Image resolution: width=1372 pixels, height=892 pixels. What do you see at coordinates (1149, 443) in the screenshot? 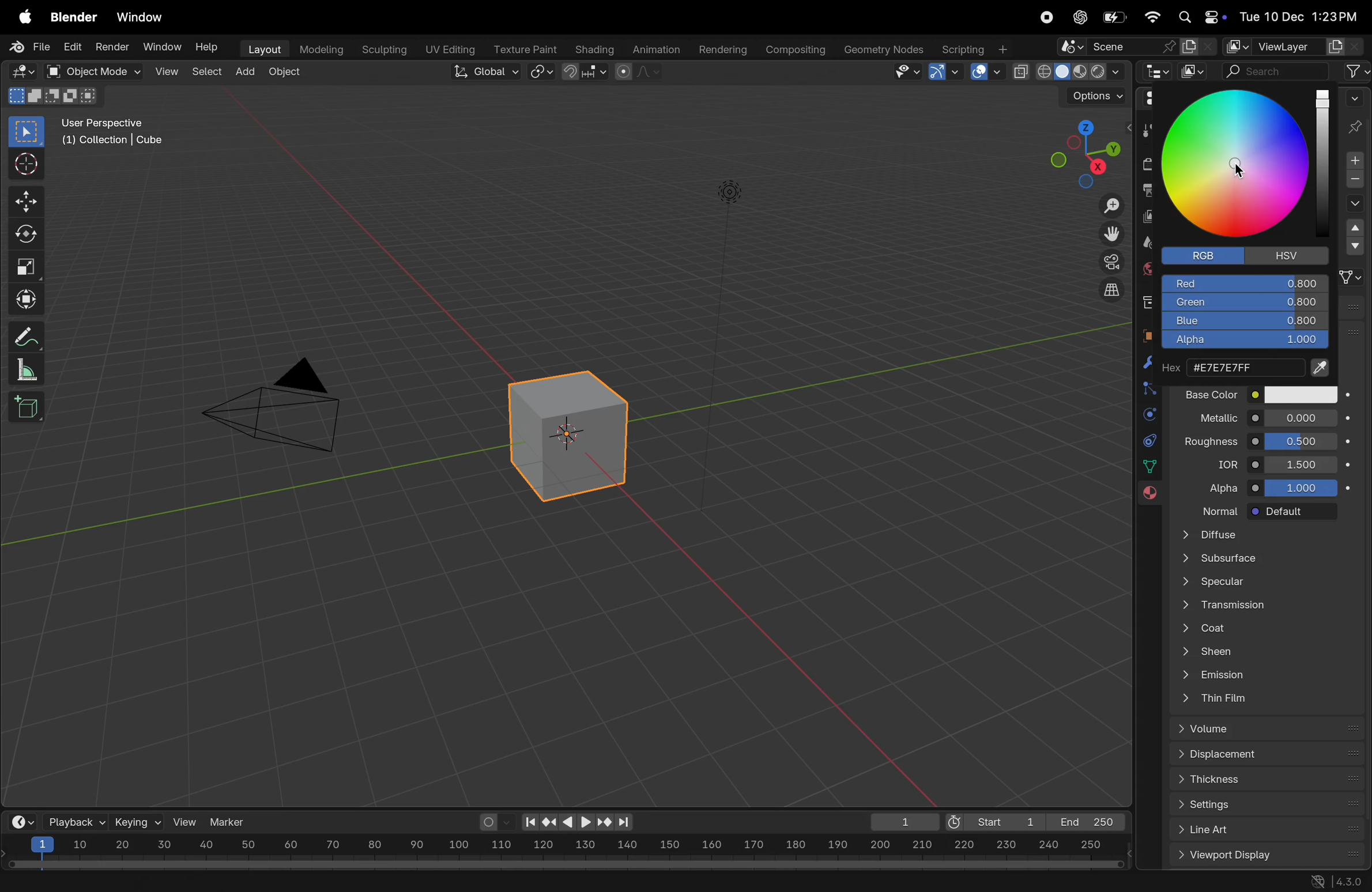
I see `constarints` at bounding box center [1149, 443].